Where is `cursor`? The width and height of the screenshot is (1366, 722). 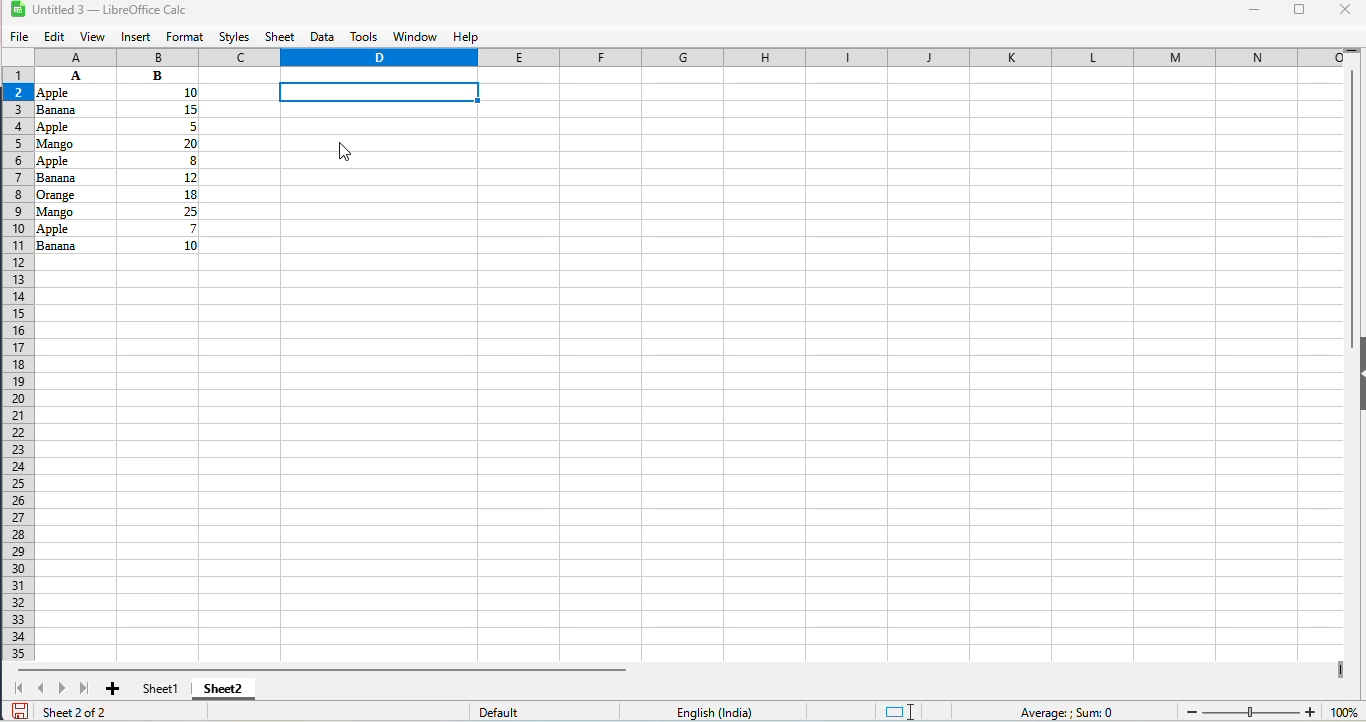
cursor is located at coordinates (344, 151).